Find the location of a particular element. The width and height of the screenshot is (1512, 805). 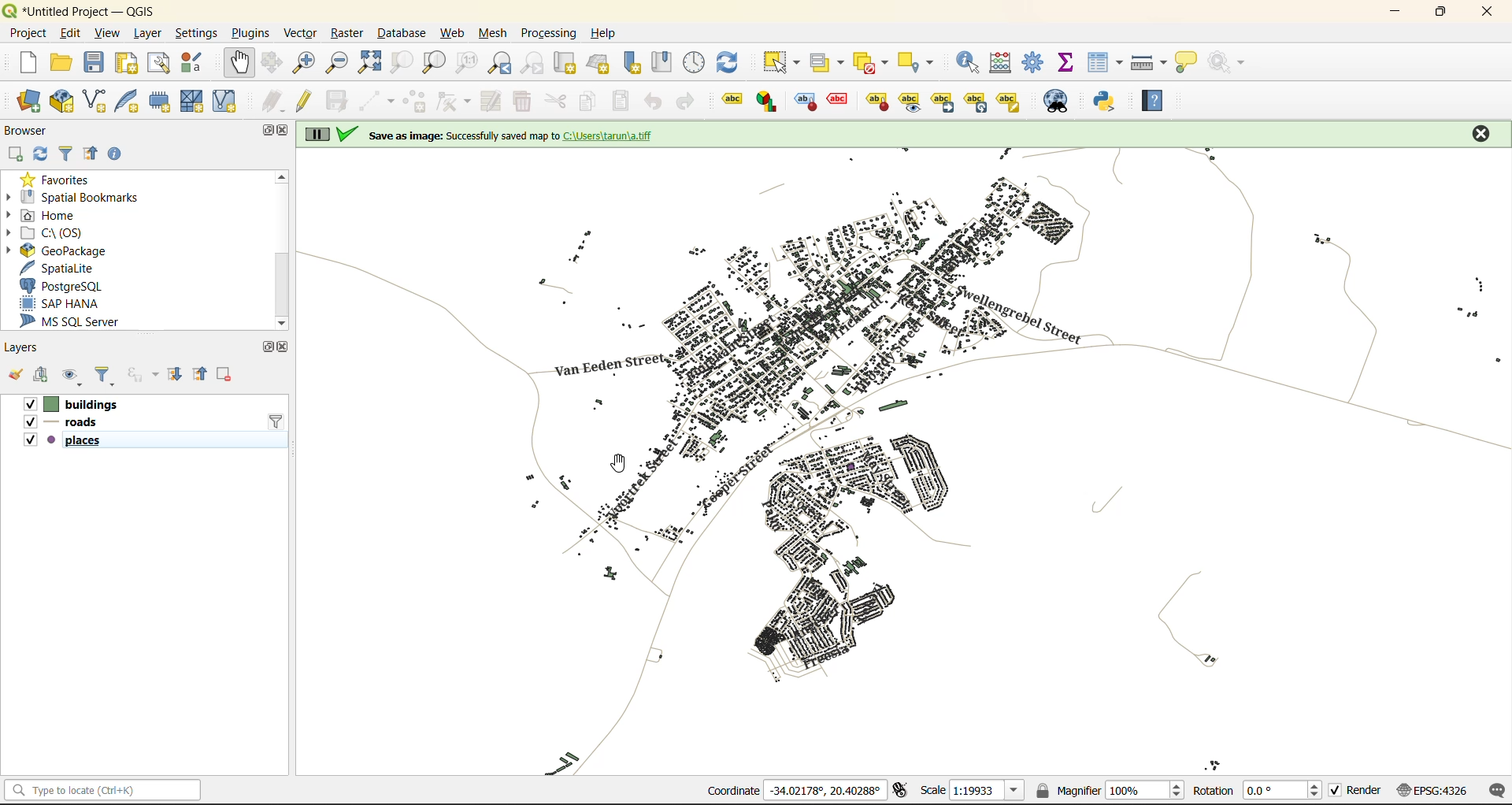

zoom full is located at coordinates (368, 63).